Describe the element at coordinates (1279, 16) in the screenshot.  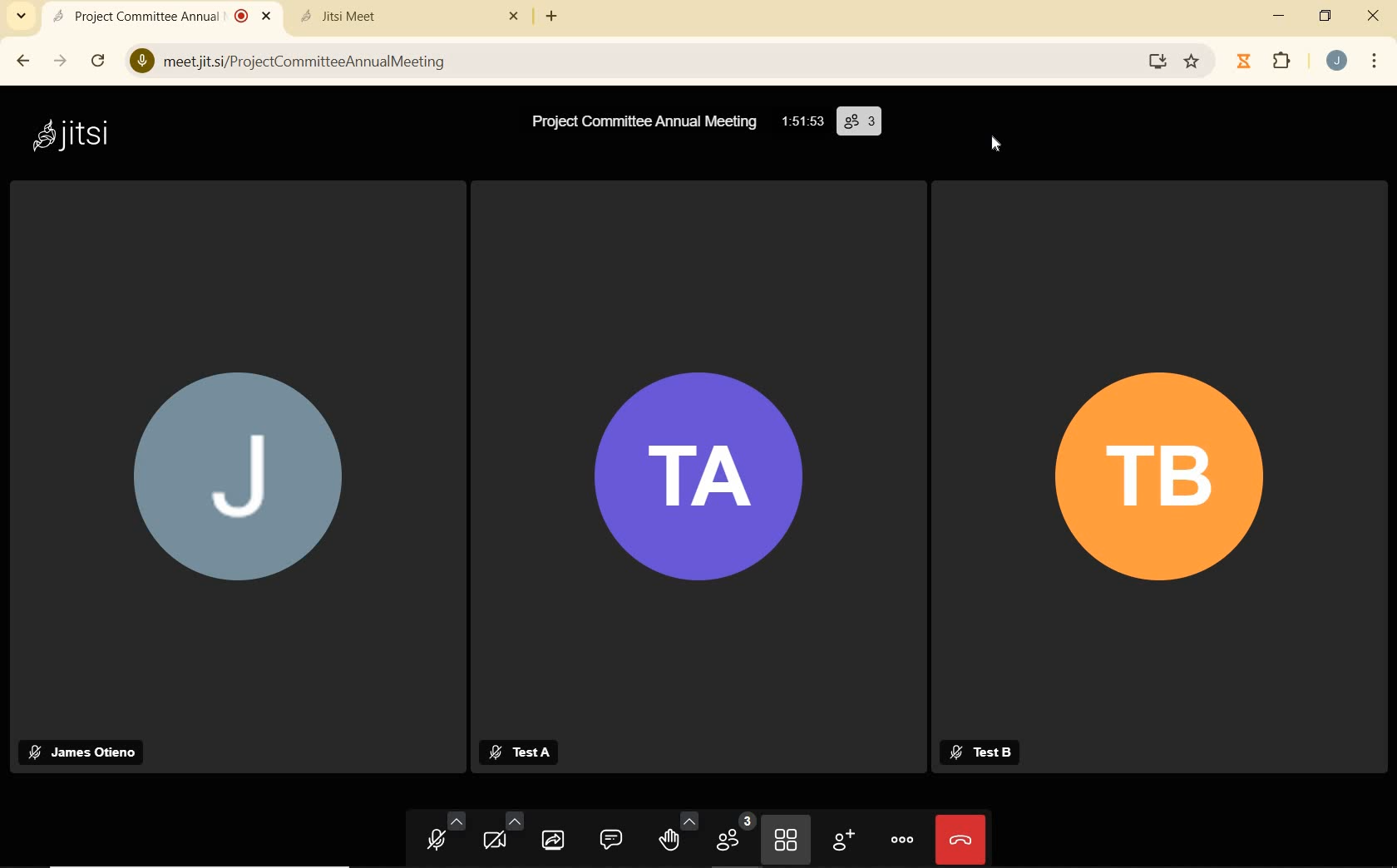
I see `minimize` at that location.